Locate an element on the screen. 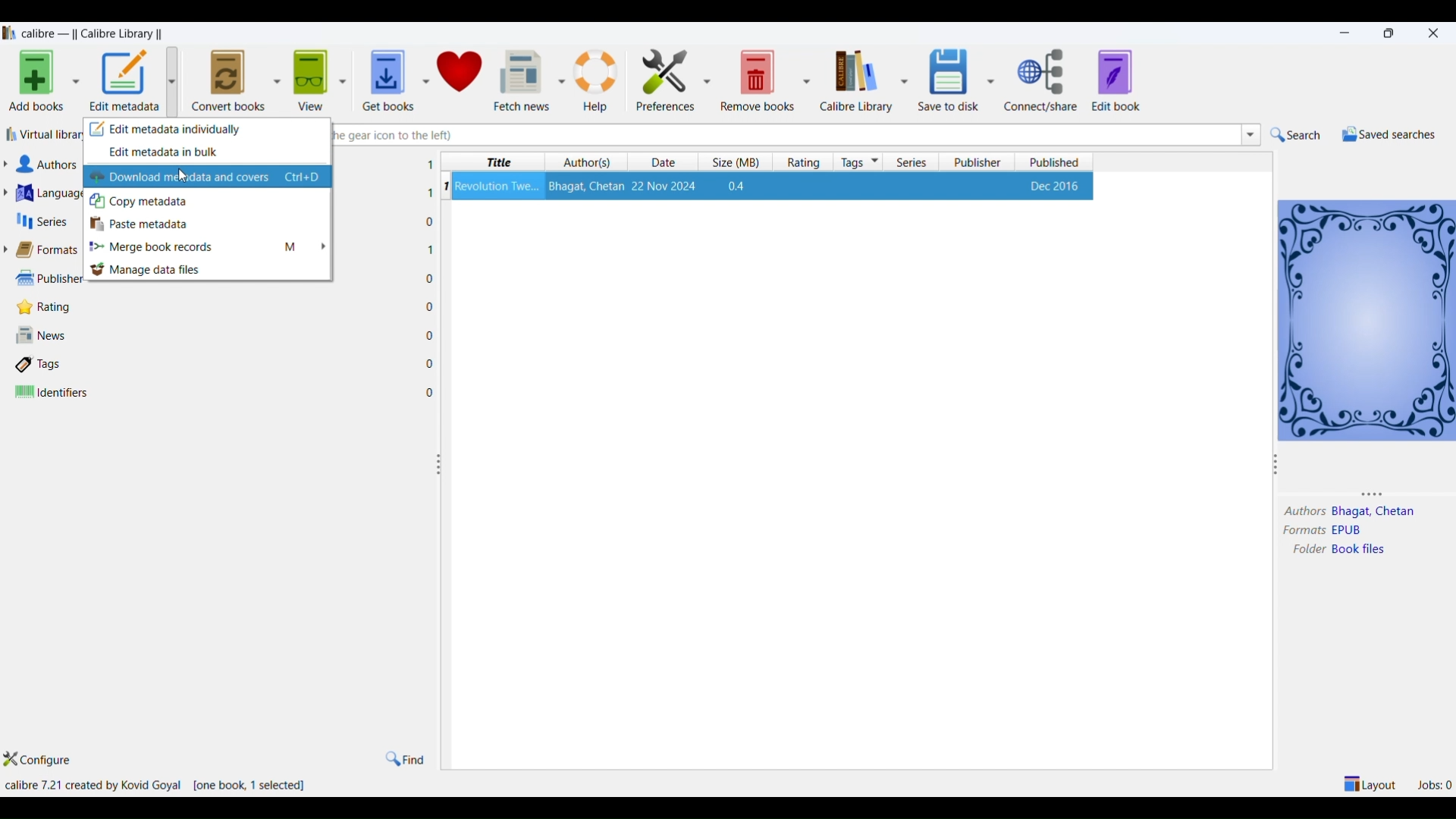 The image size is (1456, 819). convert books is located at coordinates (228, 78).